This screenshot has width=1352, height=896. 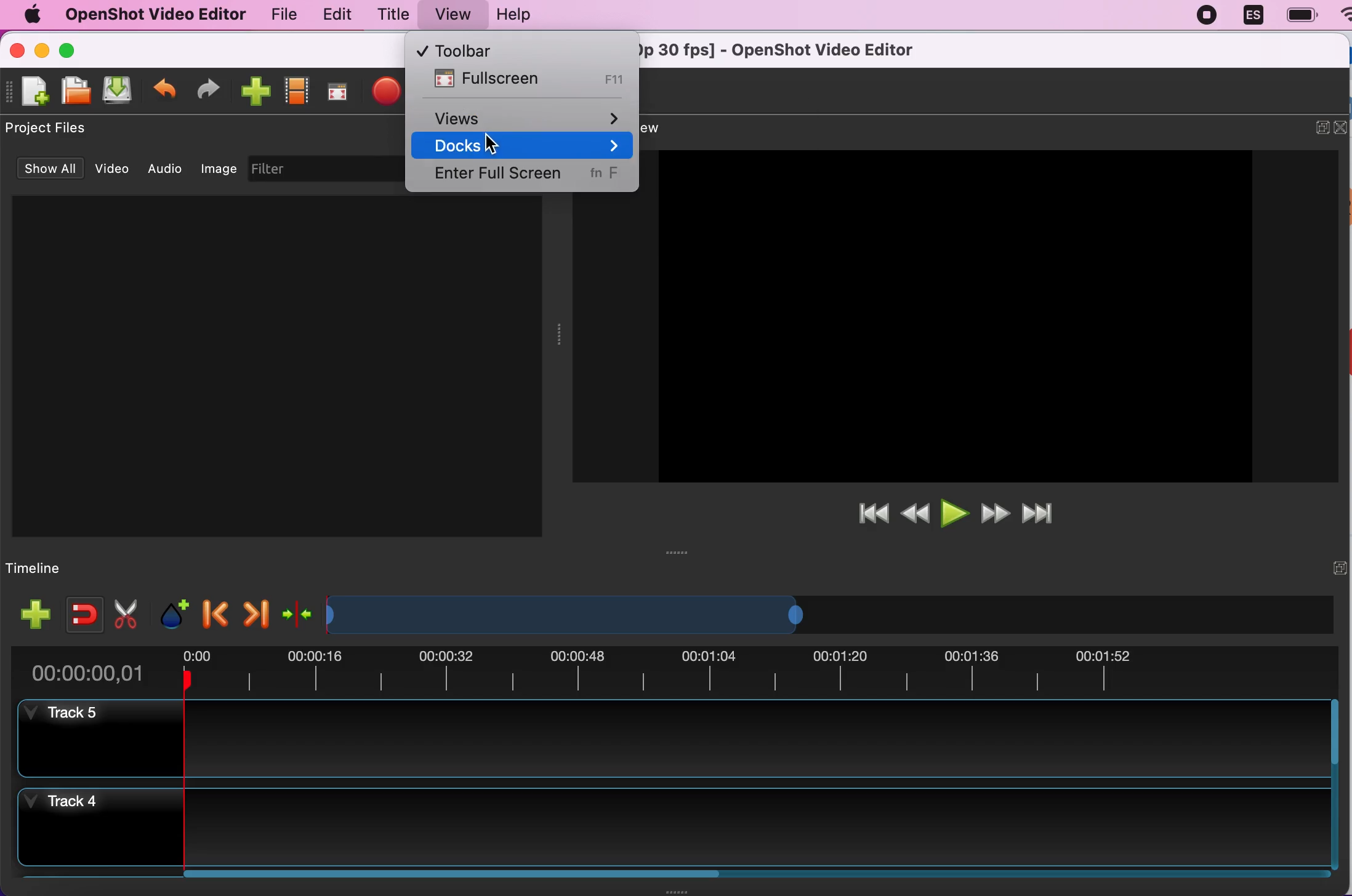 What do you see at coordinates (669, 127) in the screenshot?
I see `video preview` at bounding box center [669, 127].